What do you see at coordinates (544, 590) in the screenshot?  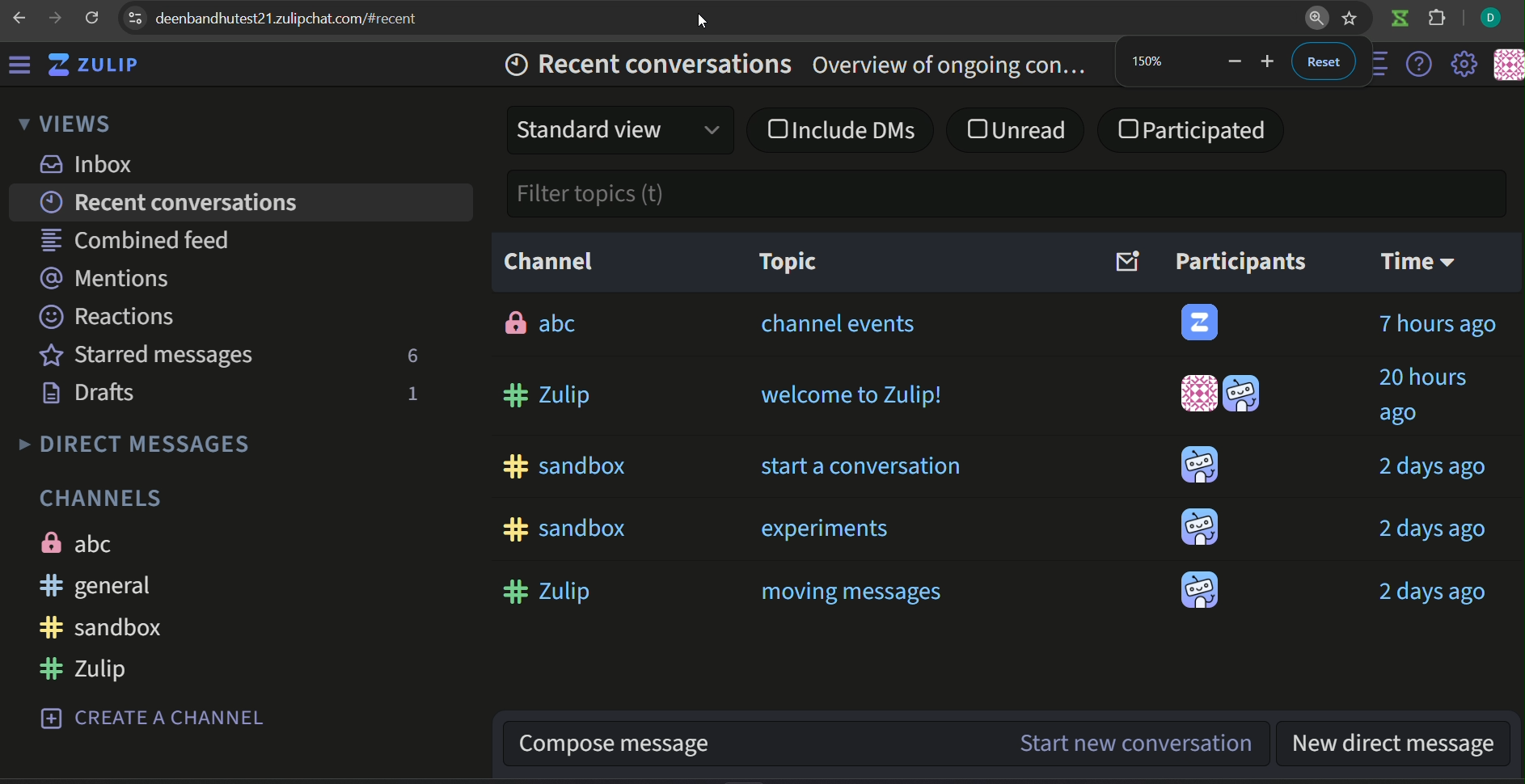 I see `#zulip` at bounding box center [544, 590].